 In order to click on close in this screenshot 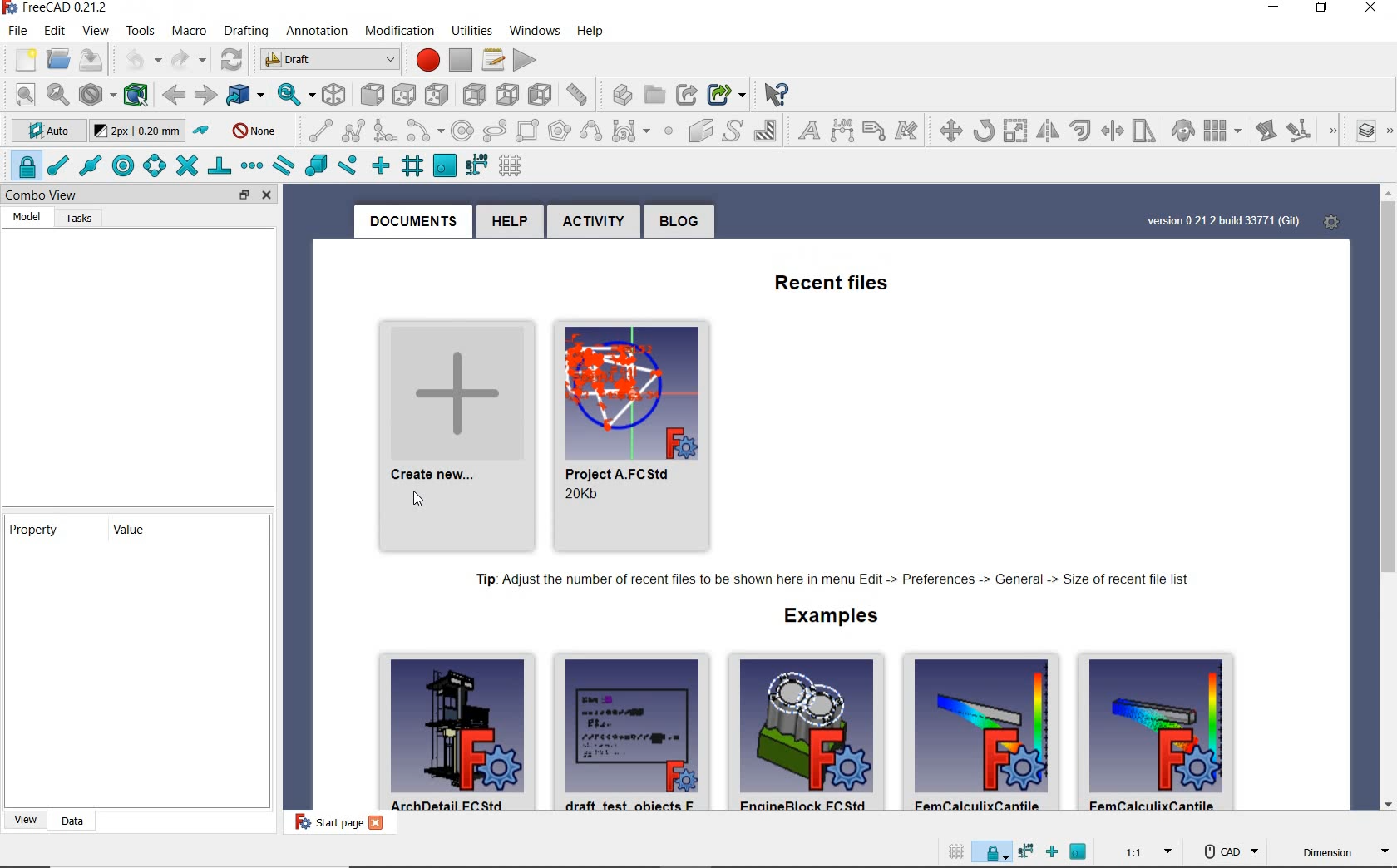, I will do `click(1367, 11)`.